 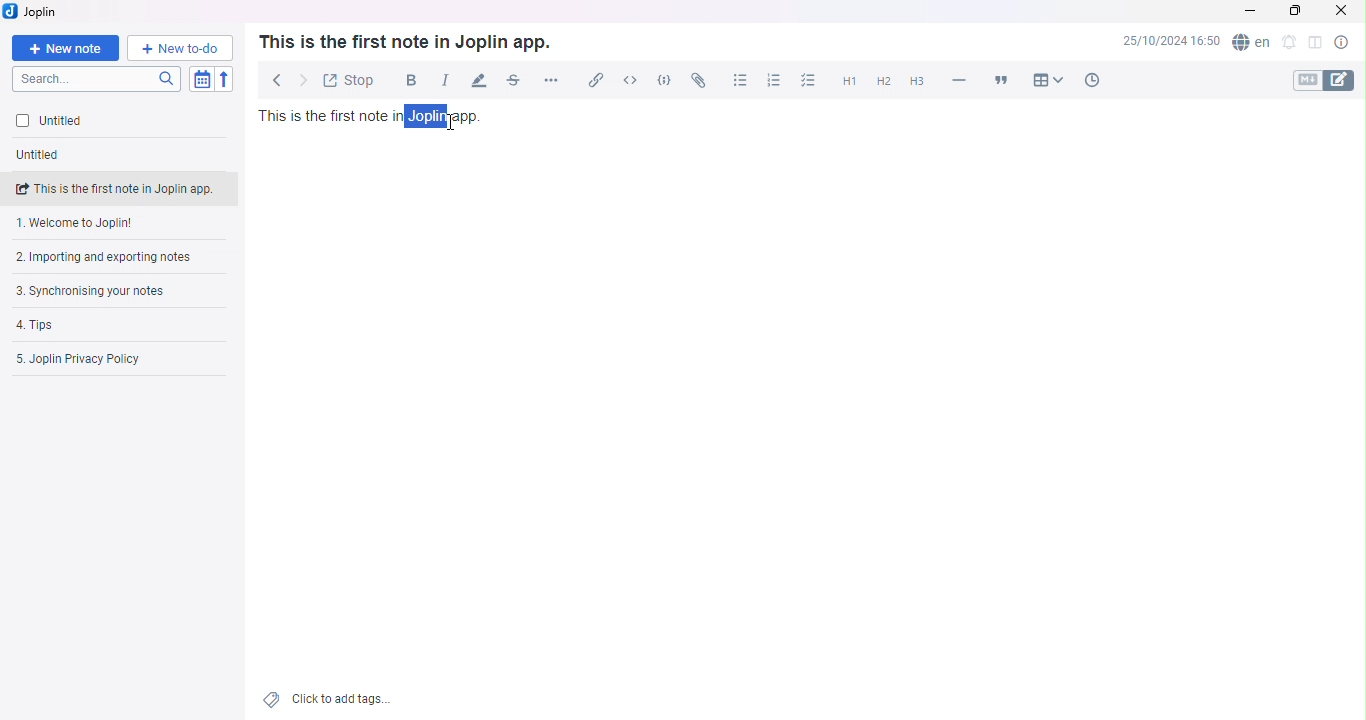 I want to click on Highlight, so click(x=478, y=81).